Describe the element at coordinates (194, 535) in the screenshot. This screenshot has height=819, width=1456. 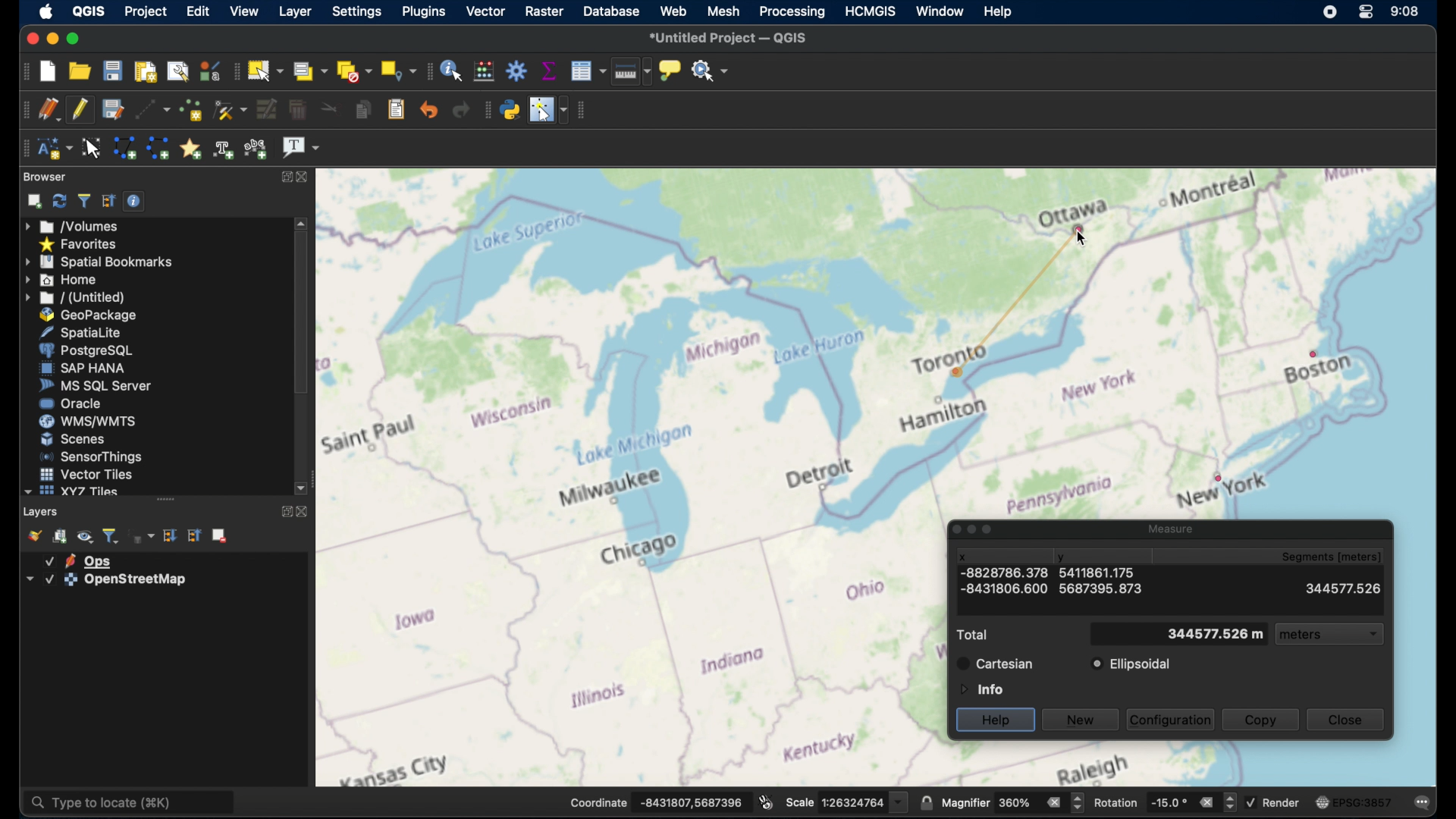
I see `collapse all` at that location.